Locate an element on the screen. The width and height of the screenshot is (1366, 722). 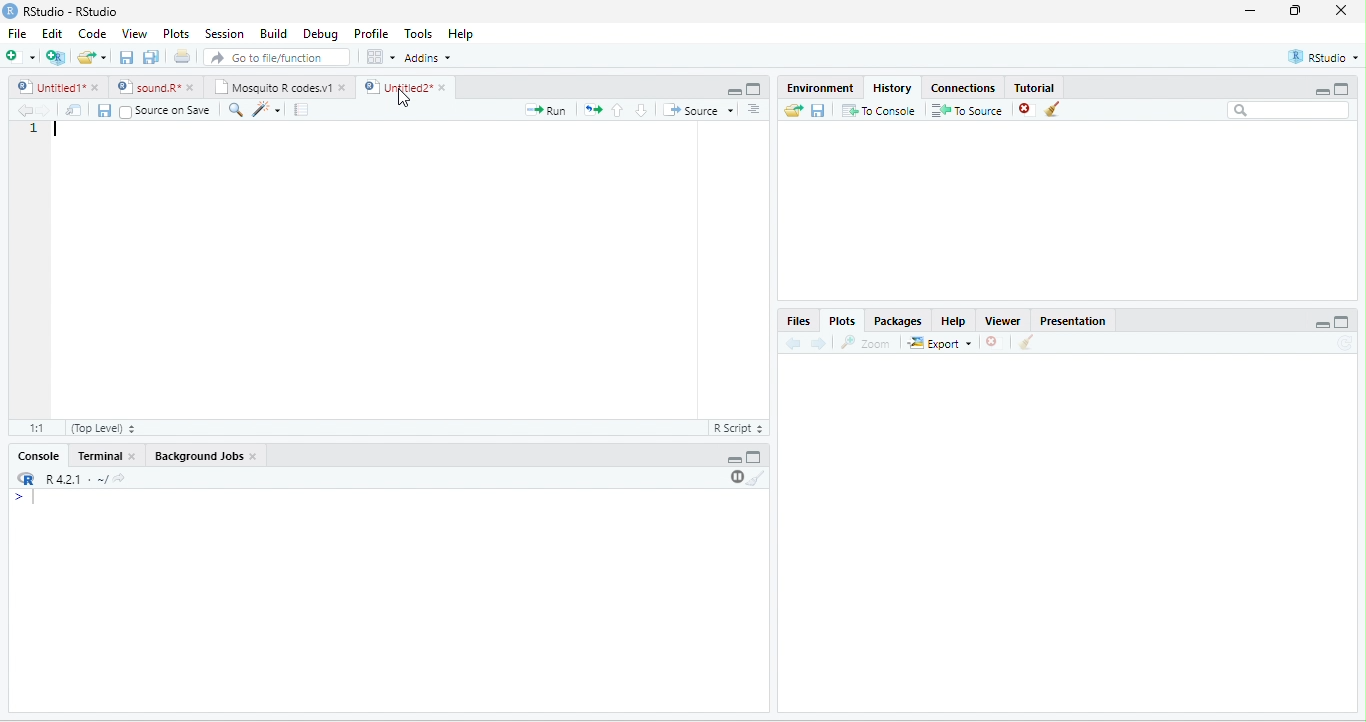
Untitled is located at coordinates (49, 87).